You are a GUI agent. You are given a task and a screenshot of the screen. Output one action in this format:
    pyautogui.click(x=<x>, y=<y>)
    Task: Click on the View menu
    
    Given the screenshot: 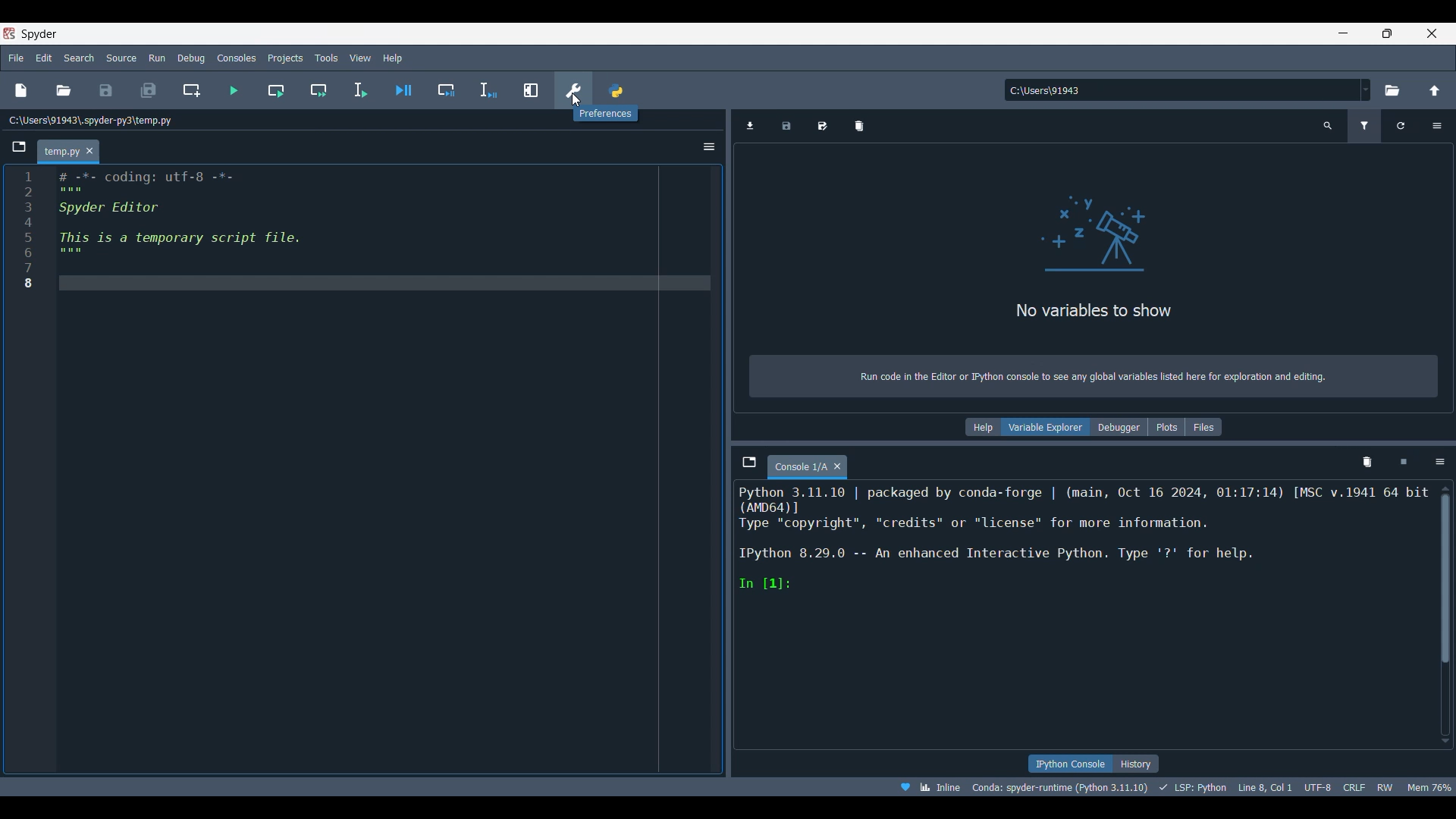 What is the action you would take?
    pyautogui.click(x=360, y=58)
    